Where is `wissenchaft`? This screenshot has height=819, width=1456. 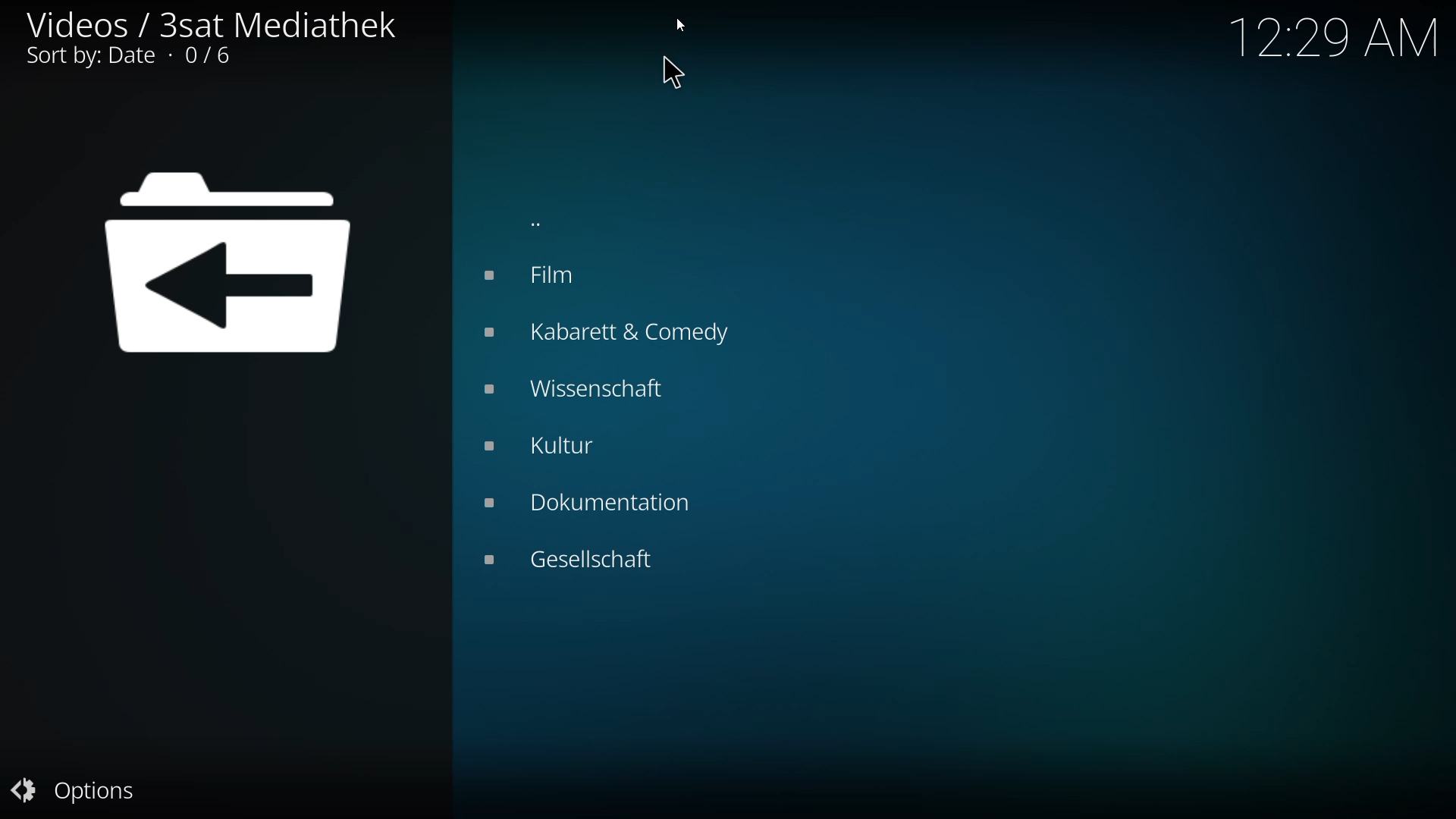 wissenchaft is located at coordinates (574, 388).